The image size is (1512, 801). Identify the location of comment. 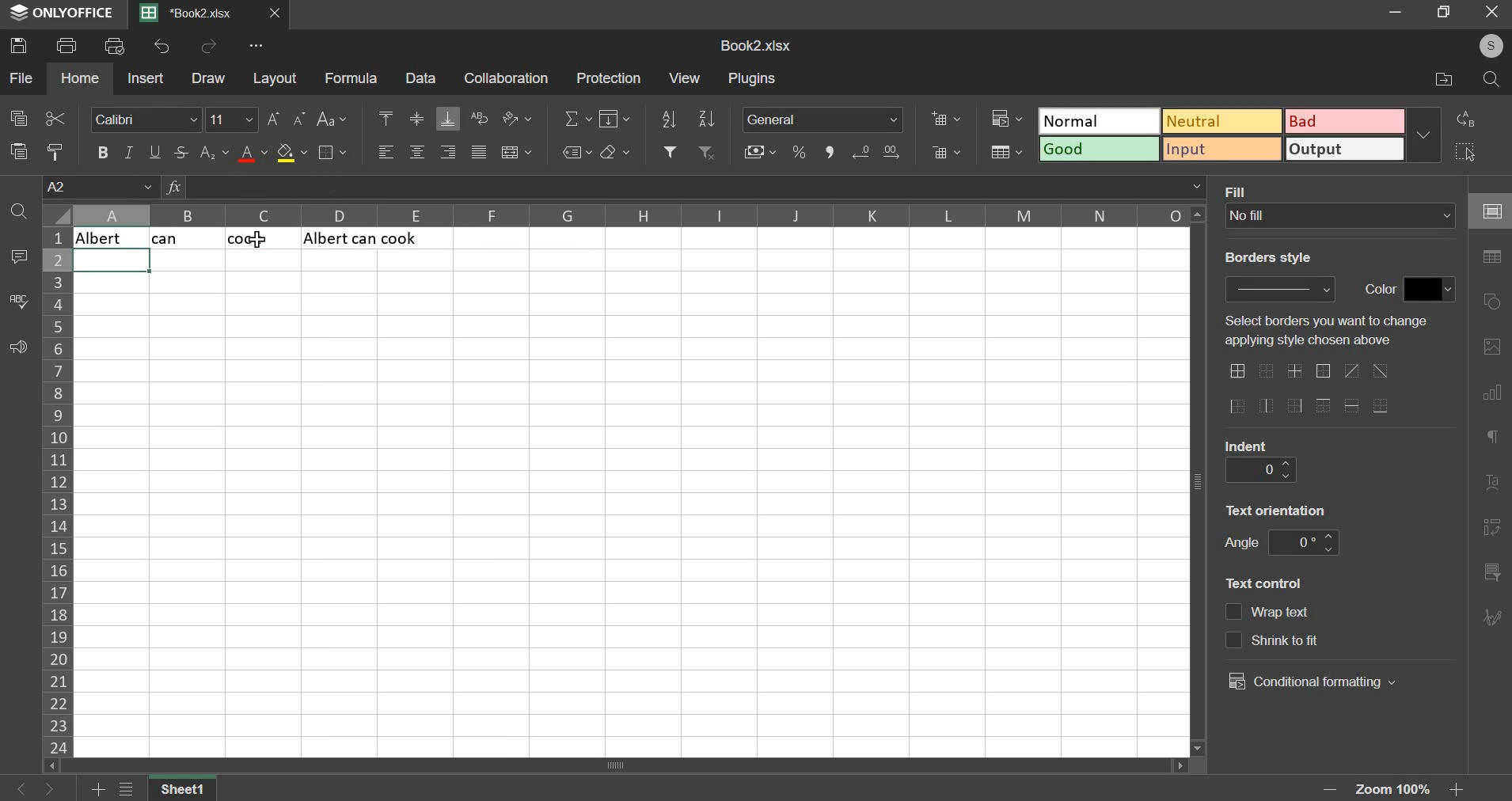
(18, 256).